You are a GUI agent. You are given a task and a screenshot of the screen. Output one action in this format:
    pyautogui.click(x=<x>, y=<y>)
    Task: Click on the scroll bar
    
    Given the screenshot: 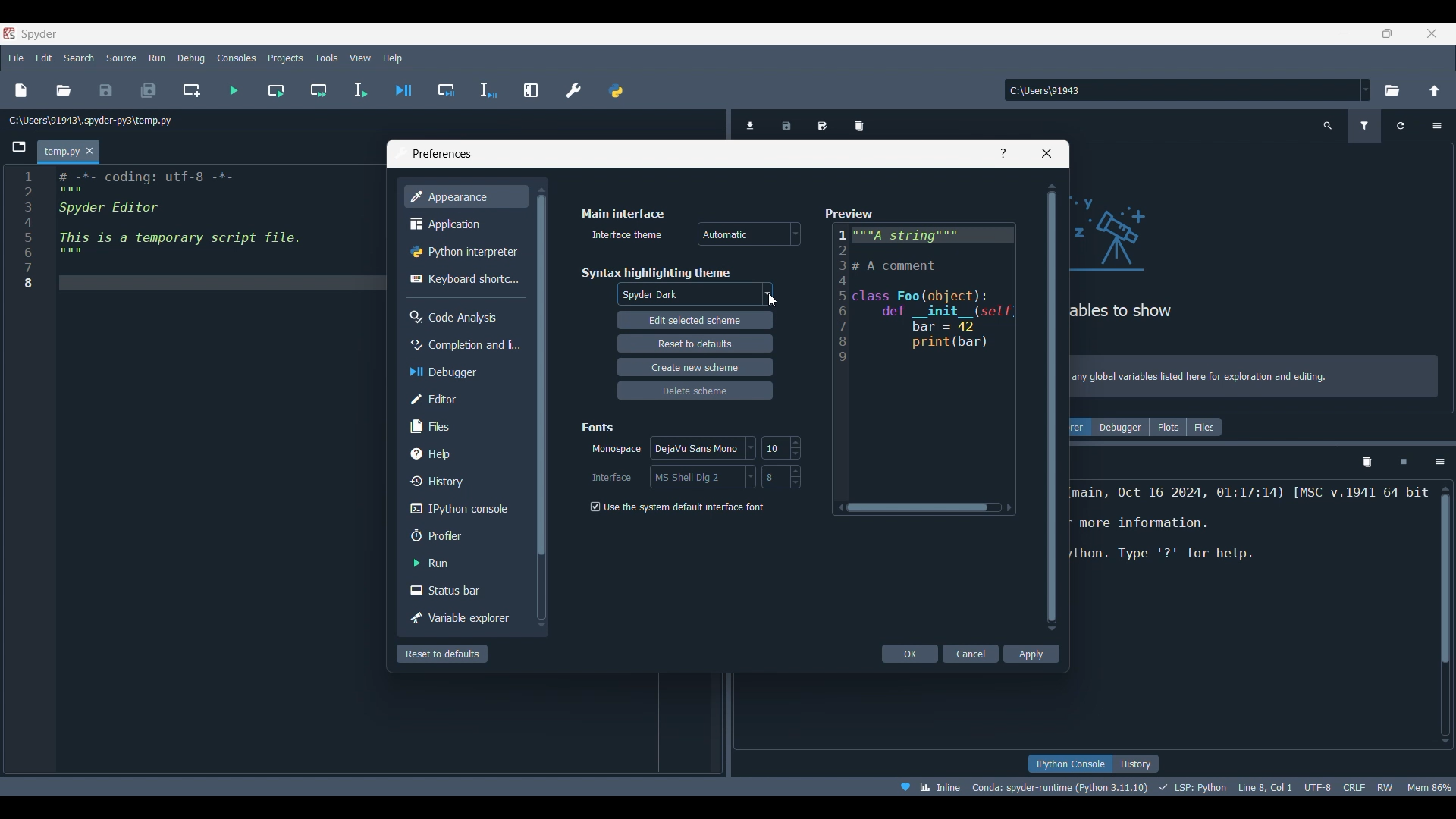 What is the action you would take?
    pyautogui.click(x=1442, y=613)
    